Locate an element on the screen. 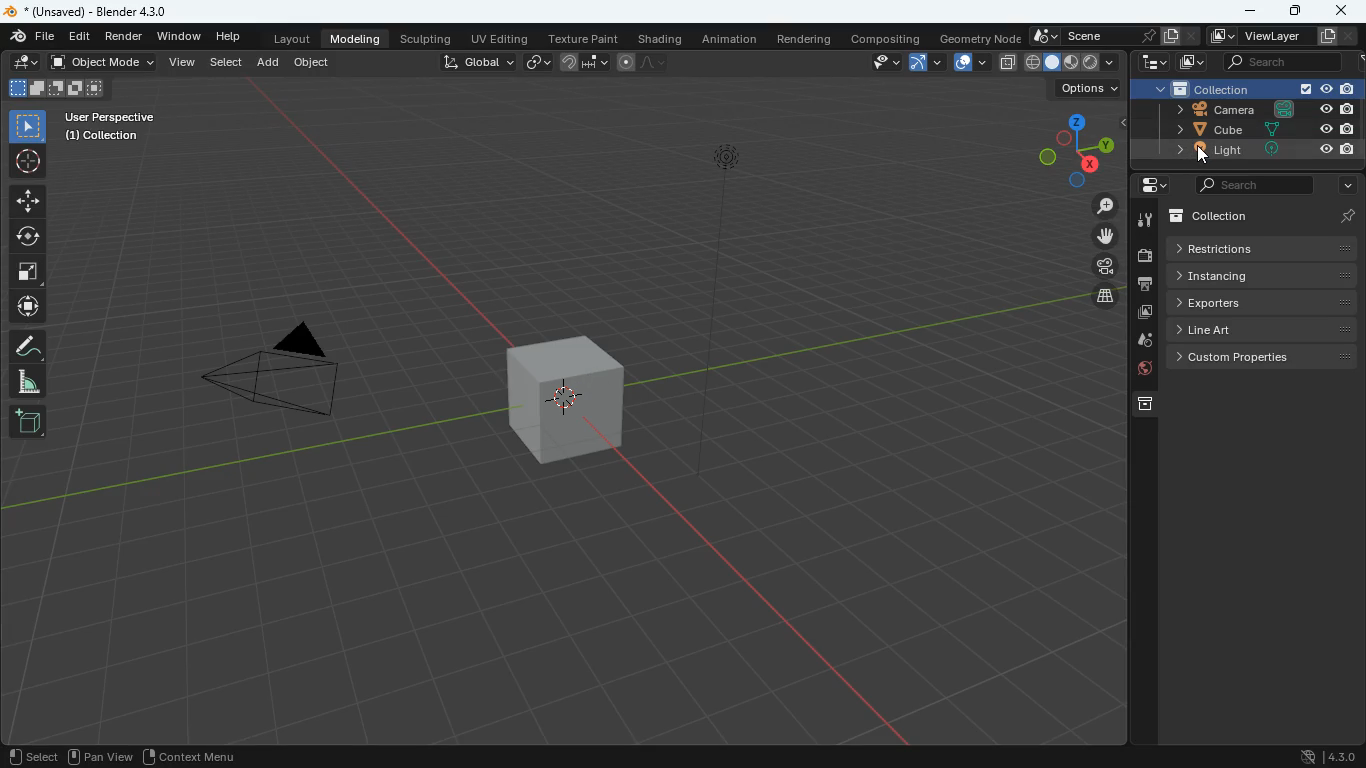  camera is located at coordinates (279, 366).